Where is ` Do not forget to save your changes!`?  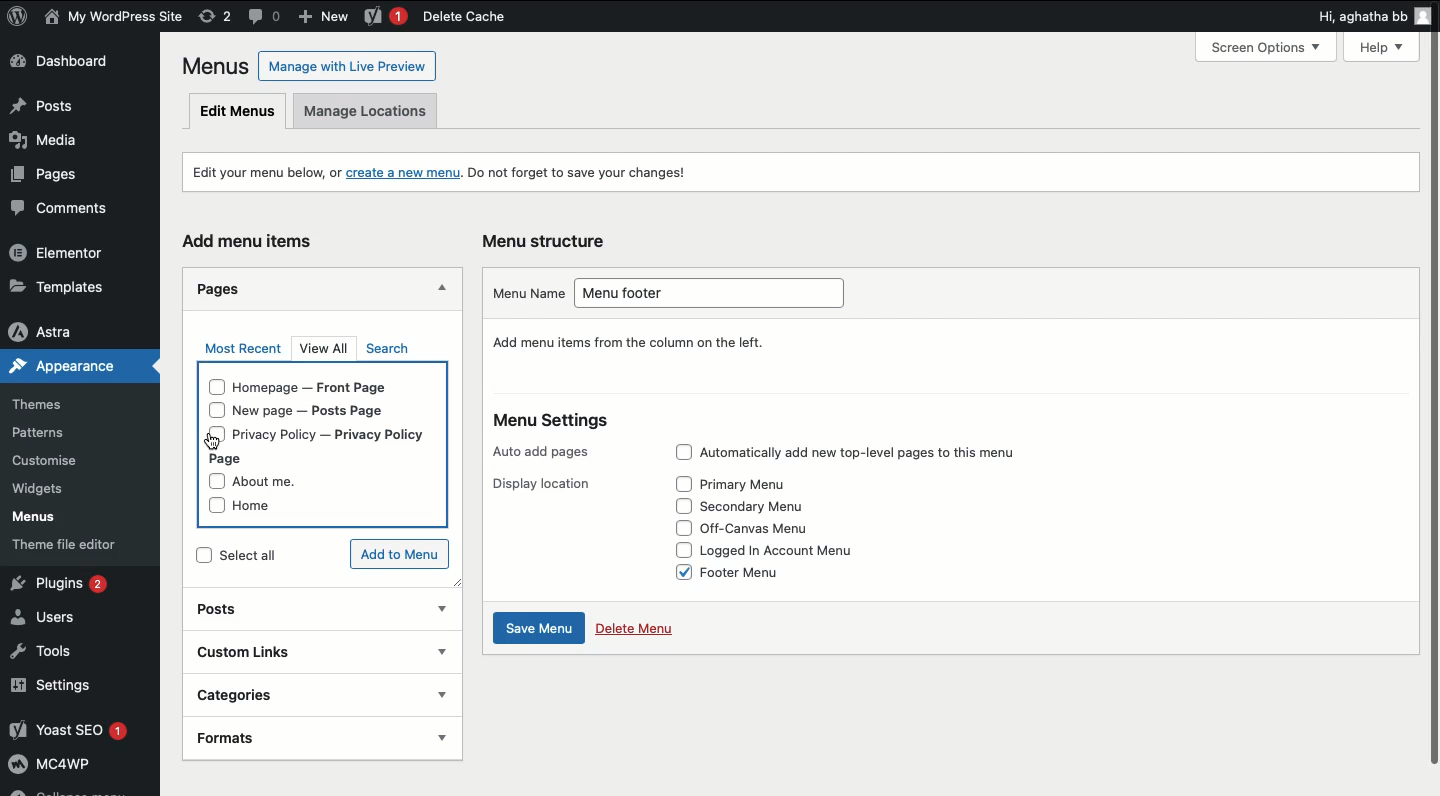
 Do not forget to save your changes! is located at coordinates (593, 174).